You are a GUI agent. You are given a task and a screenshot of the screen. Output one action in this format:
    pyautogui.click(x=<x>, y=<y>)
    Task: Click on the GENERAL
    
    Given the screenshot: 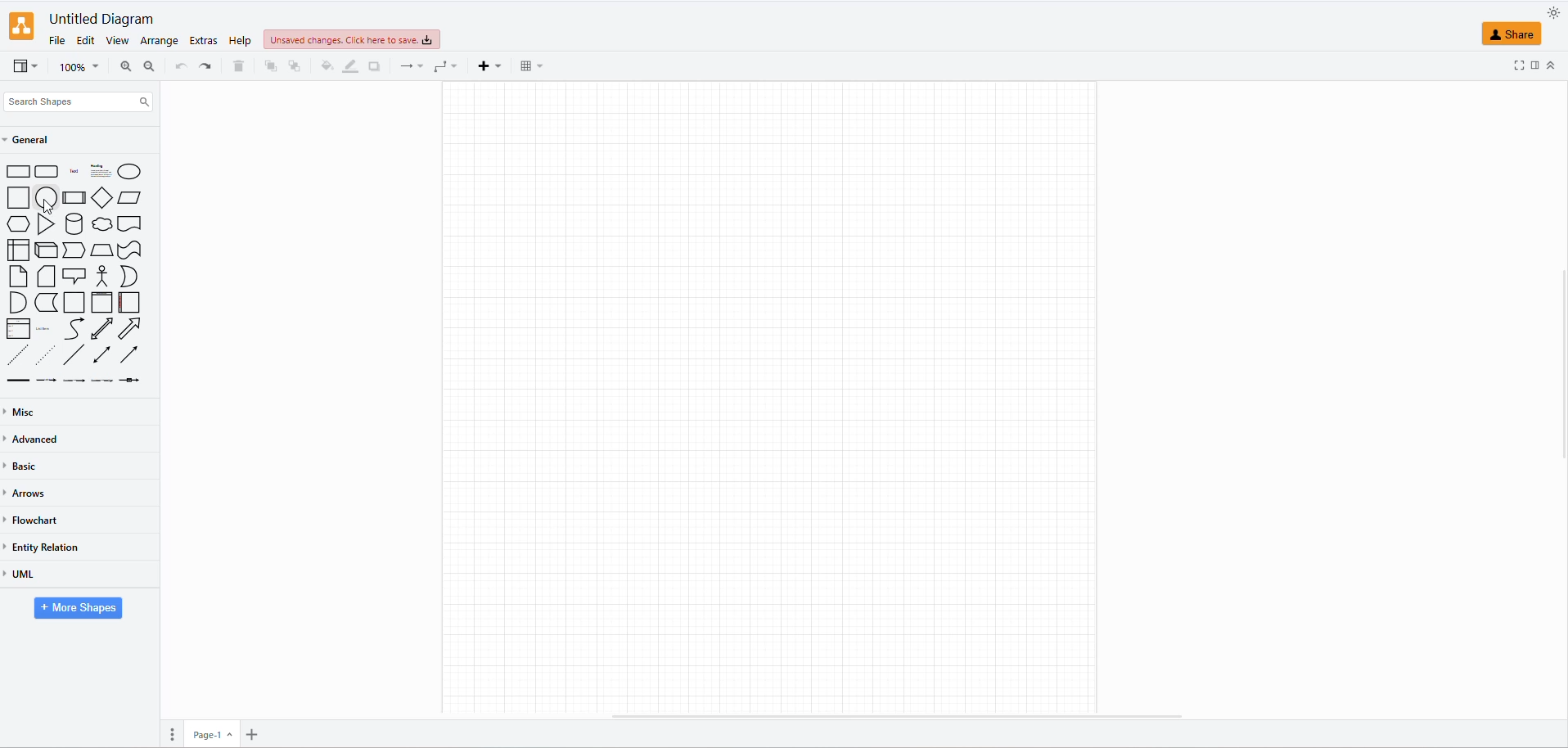 What is the action you would take?
    pyautogui.click(x=31, y=140)
    